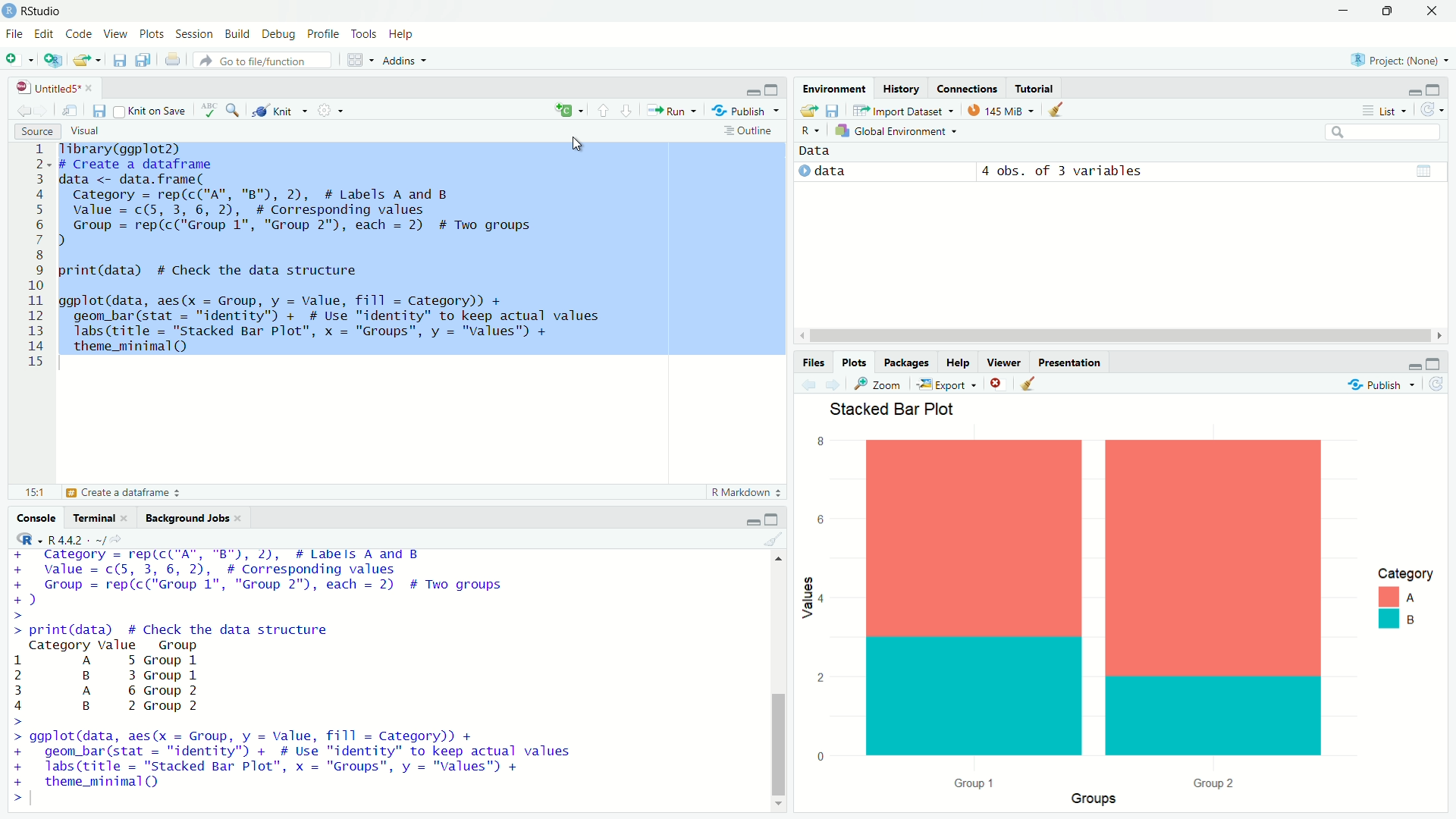  Describe the element at coordinates (29, 538) in the screenshot. I see `R` at that location.